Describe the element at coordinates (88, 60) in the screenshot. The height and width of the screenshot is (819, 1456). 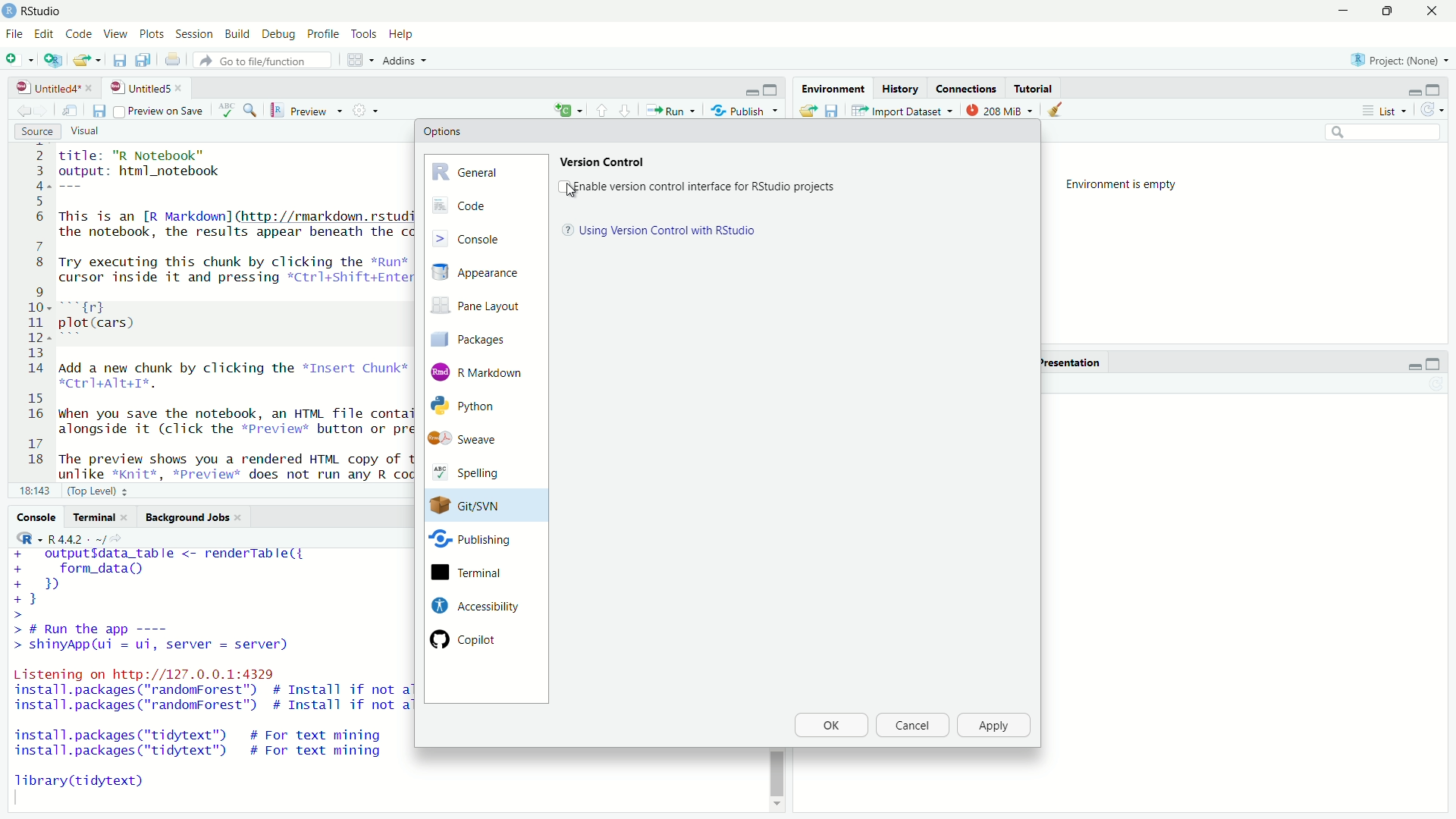
I see `open an existing file` at that location.